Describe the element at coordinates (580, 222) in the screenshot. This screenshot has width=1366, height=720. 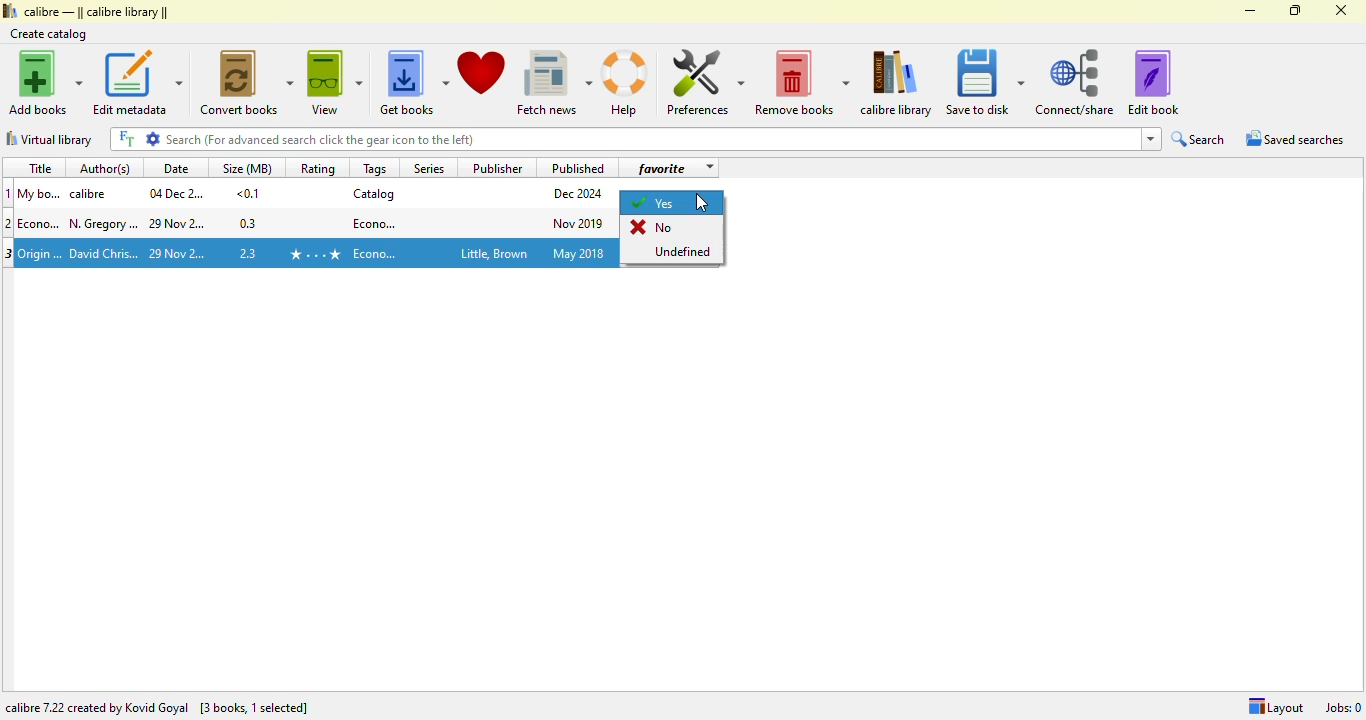
I see `publish date` at that location.